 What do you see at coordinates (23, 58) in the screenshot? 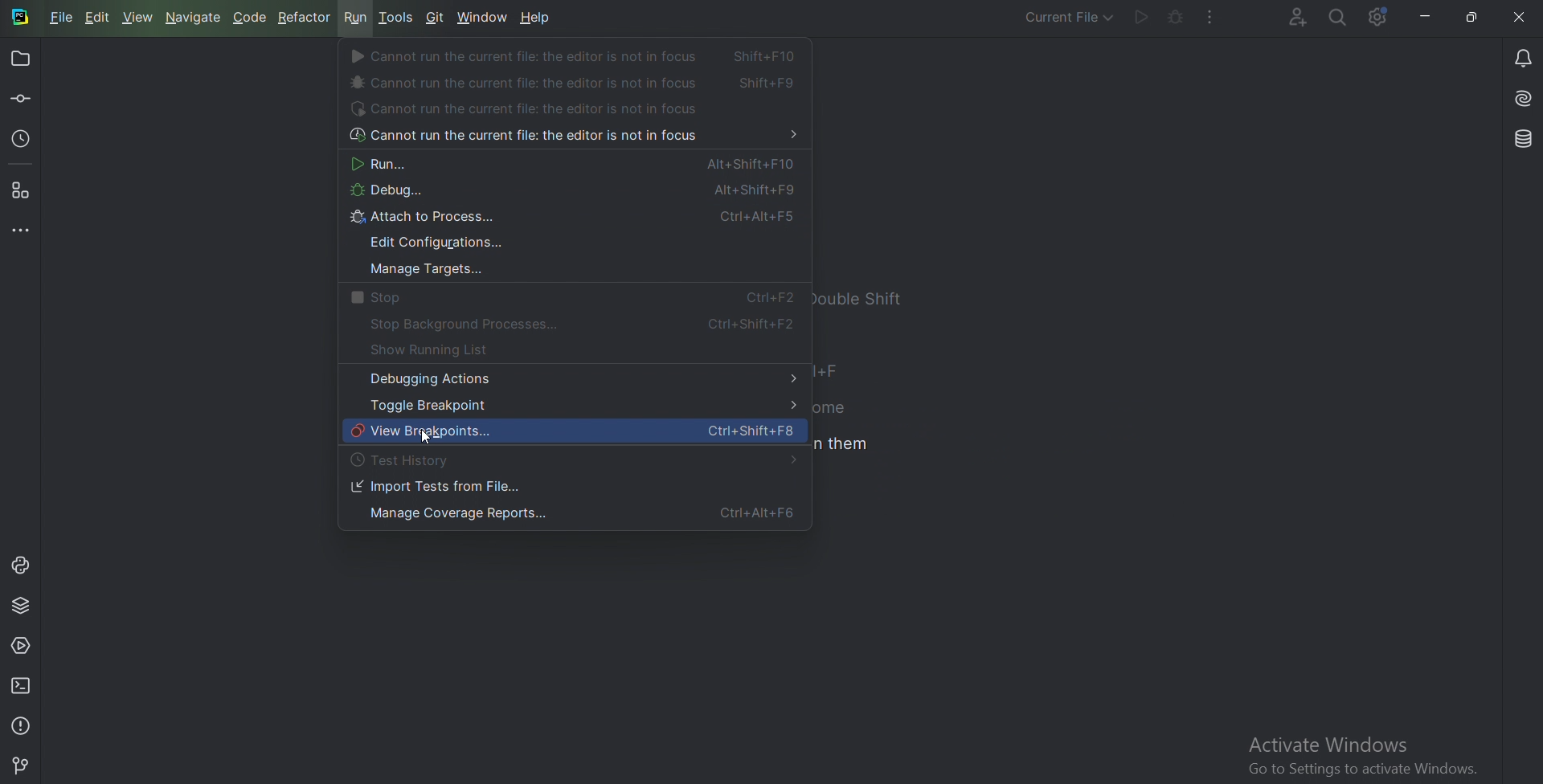
I see `Project` at bounding box center [23, 58].